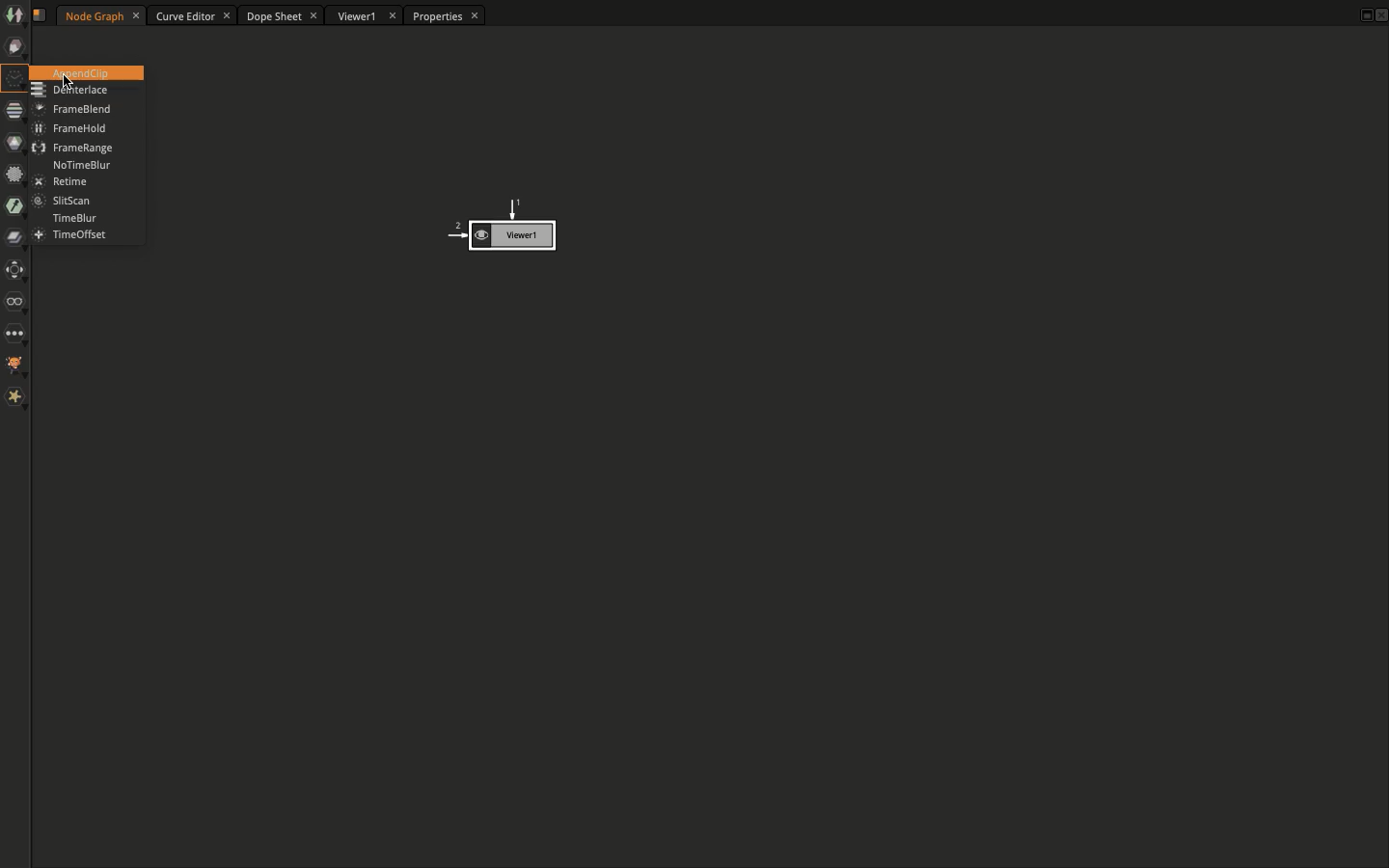  What do you see at coordinates (15, 241) in the screenshot?
I see `Merger` at bounding box center [15, 241].